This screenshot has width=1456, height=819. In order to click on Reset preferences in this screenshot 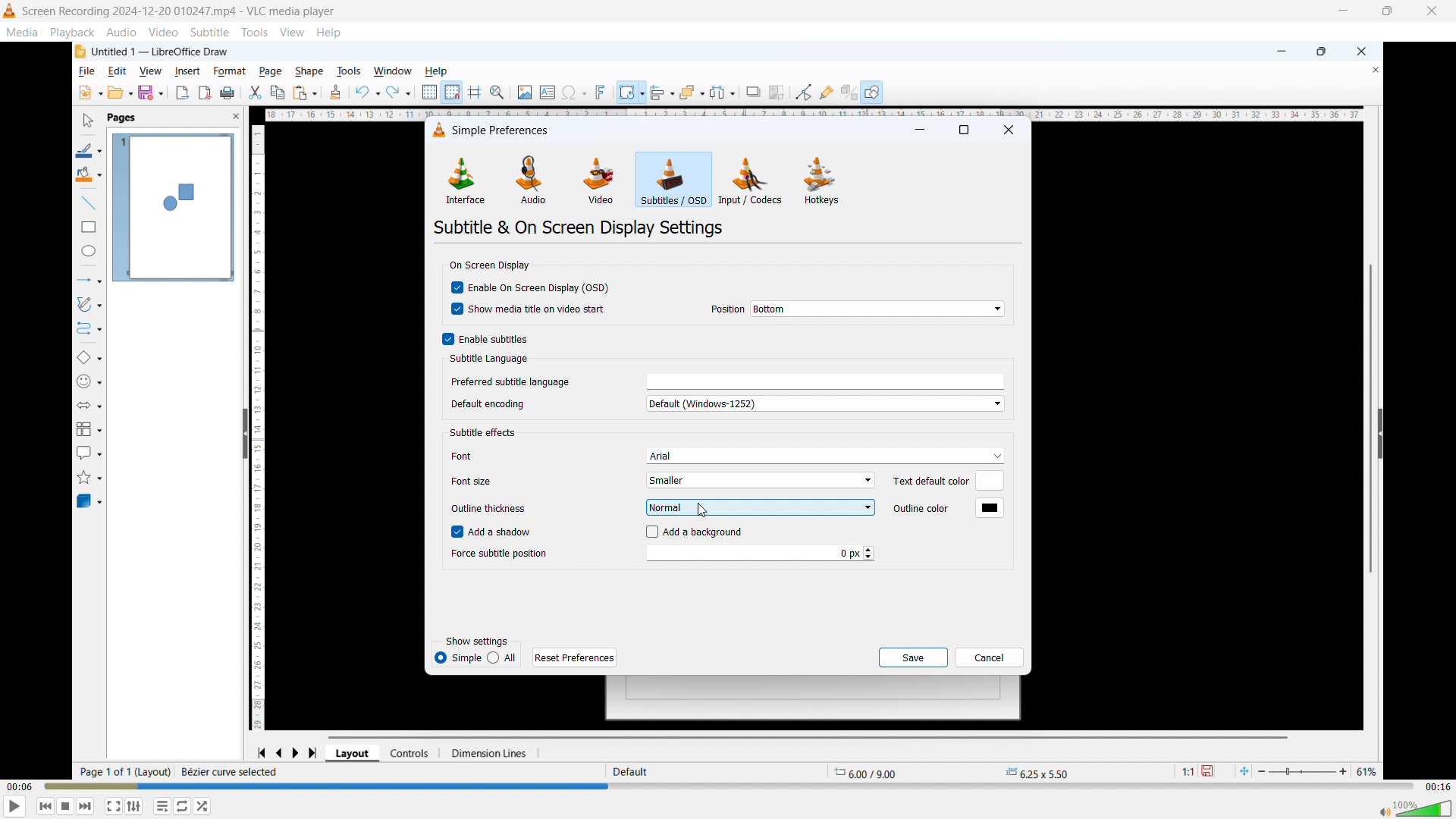, I will do `click(575, 657)`.